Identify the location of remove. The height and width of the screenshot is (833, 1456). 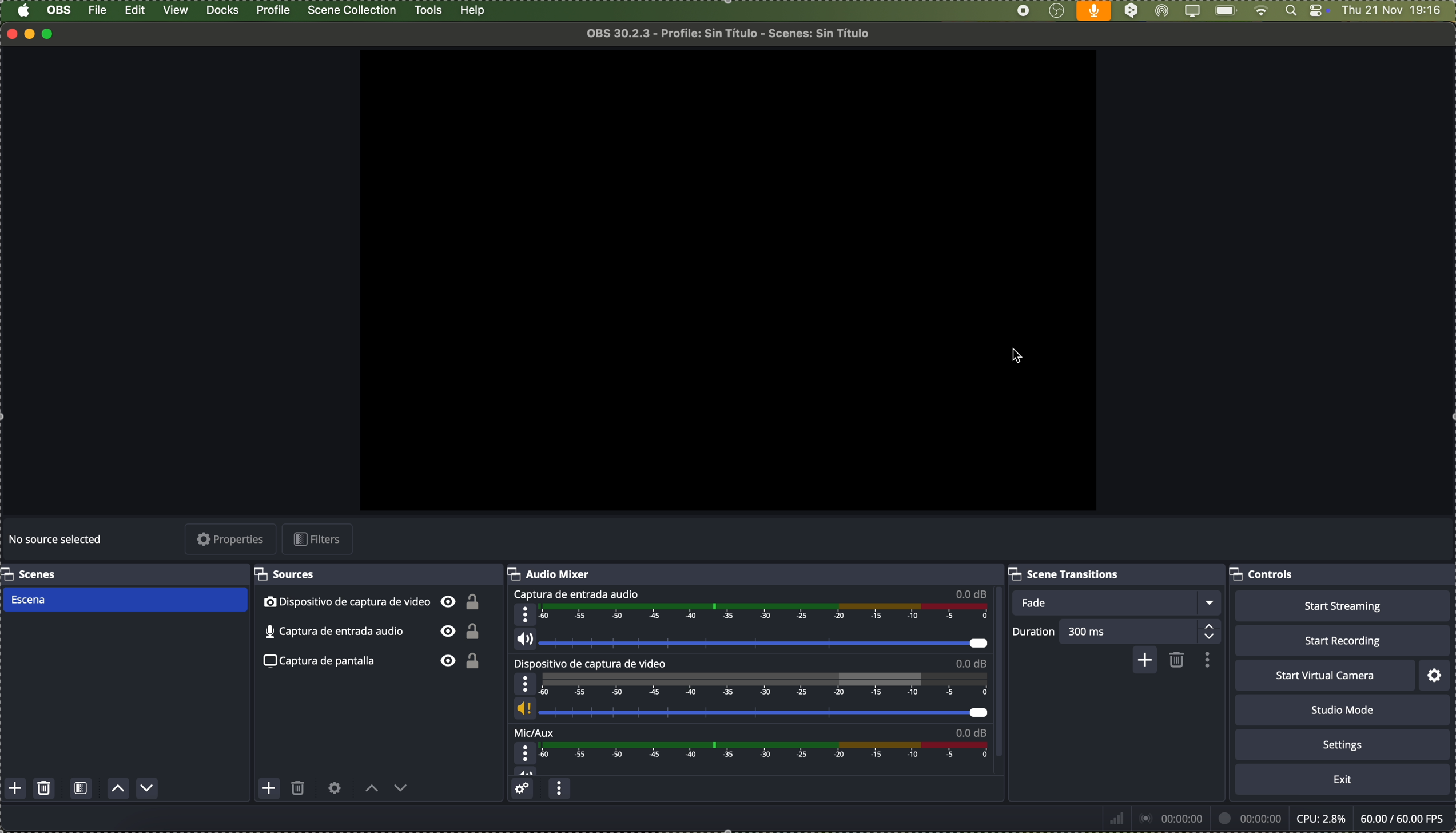
(1177, 661).